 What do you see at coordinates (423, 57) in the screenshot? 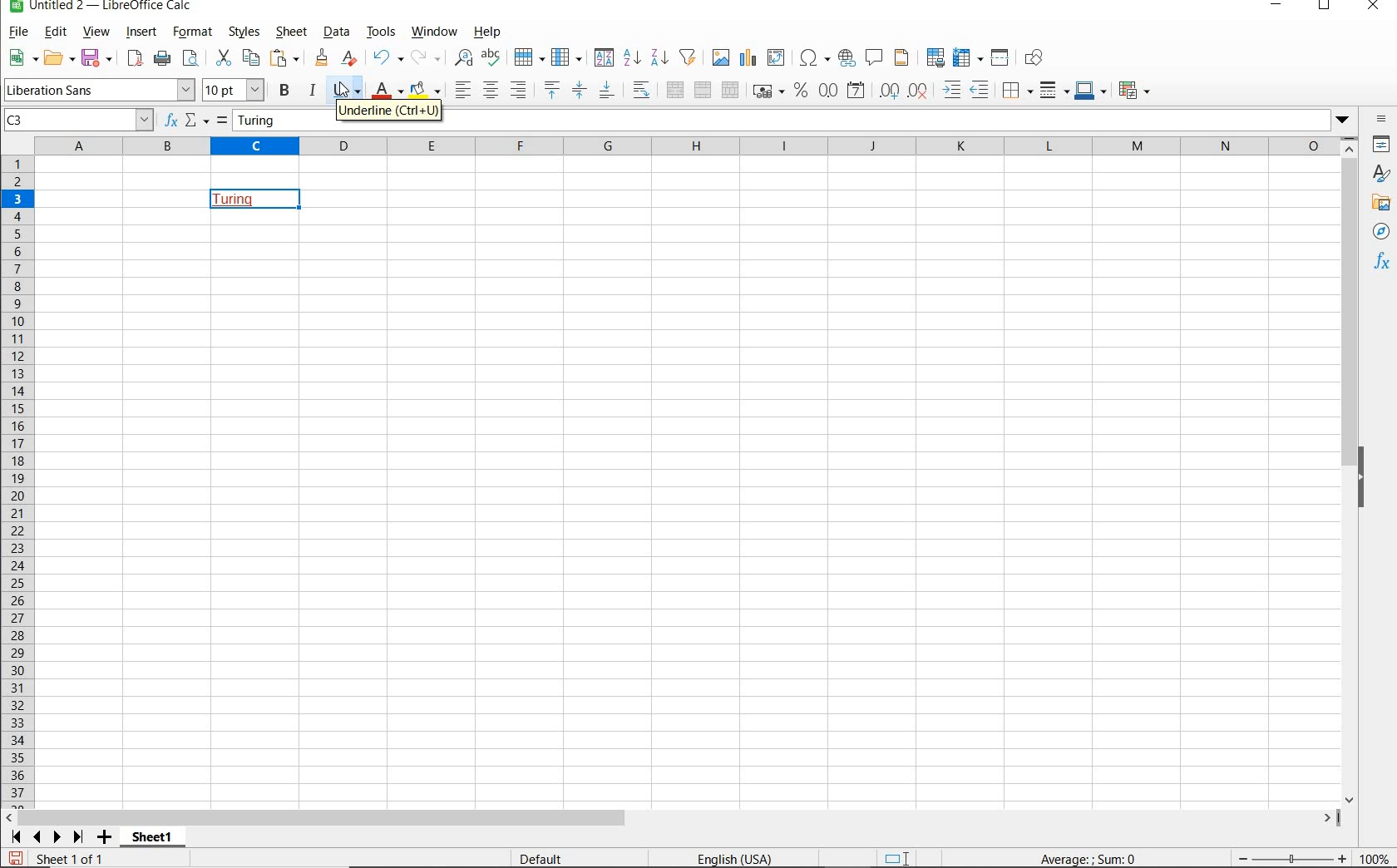
I see `REDO` at bounding box center [423, 57].